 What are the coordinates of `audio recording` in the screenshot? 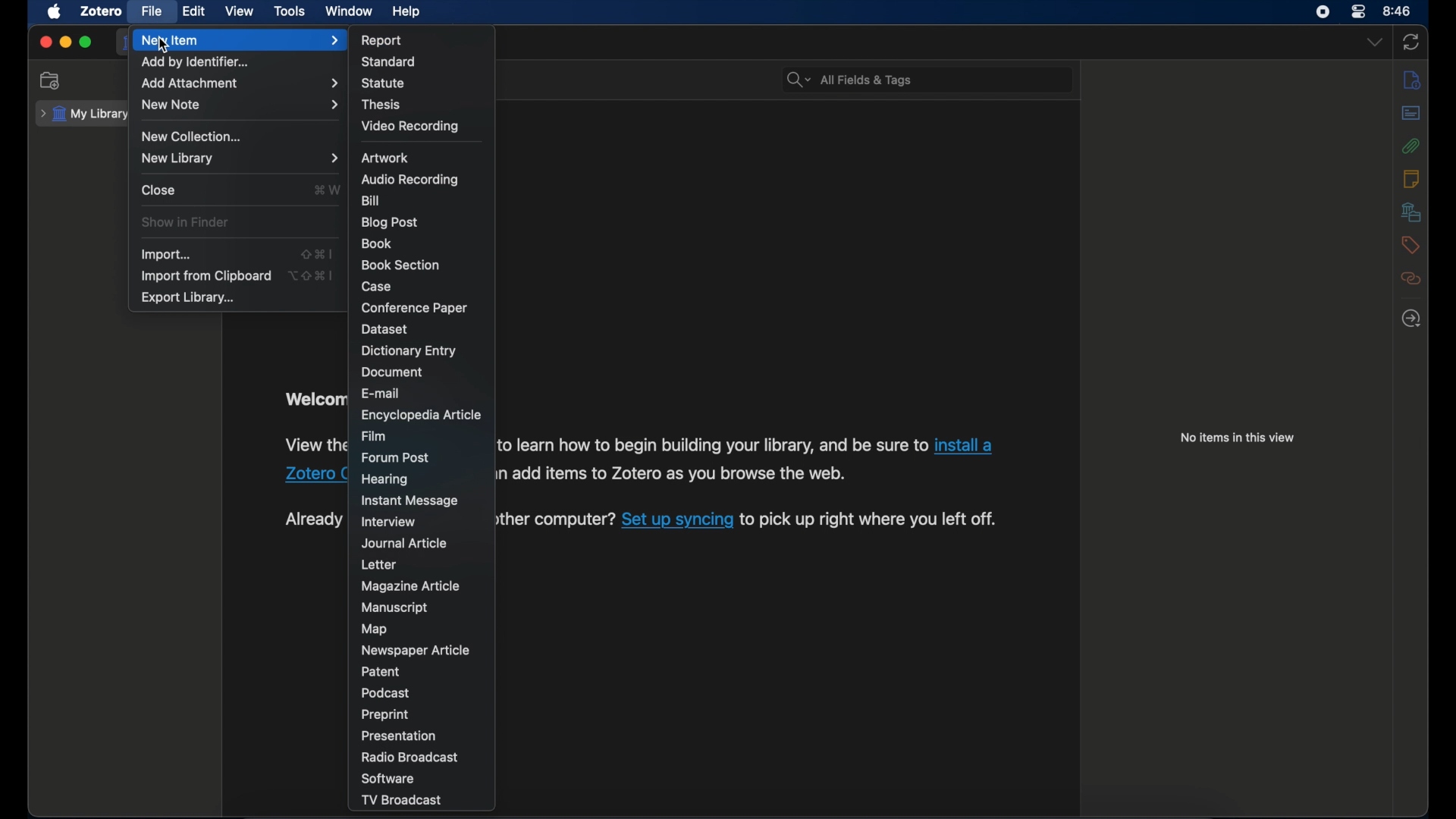 It's located at (409, 180).